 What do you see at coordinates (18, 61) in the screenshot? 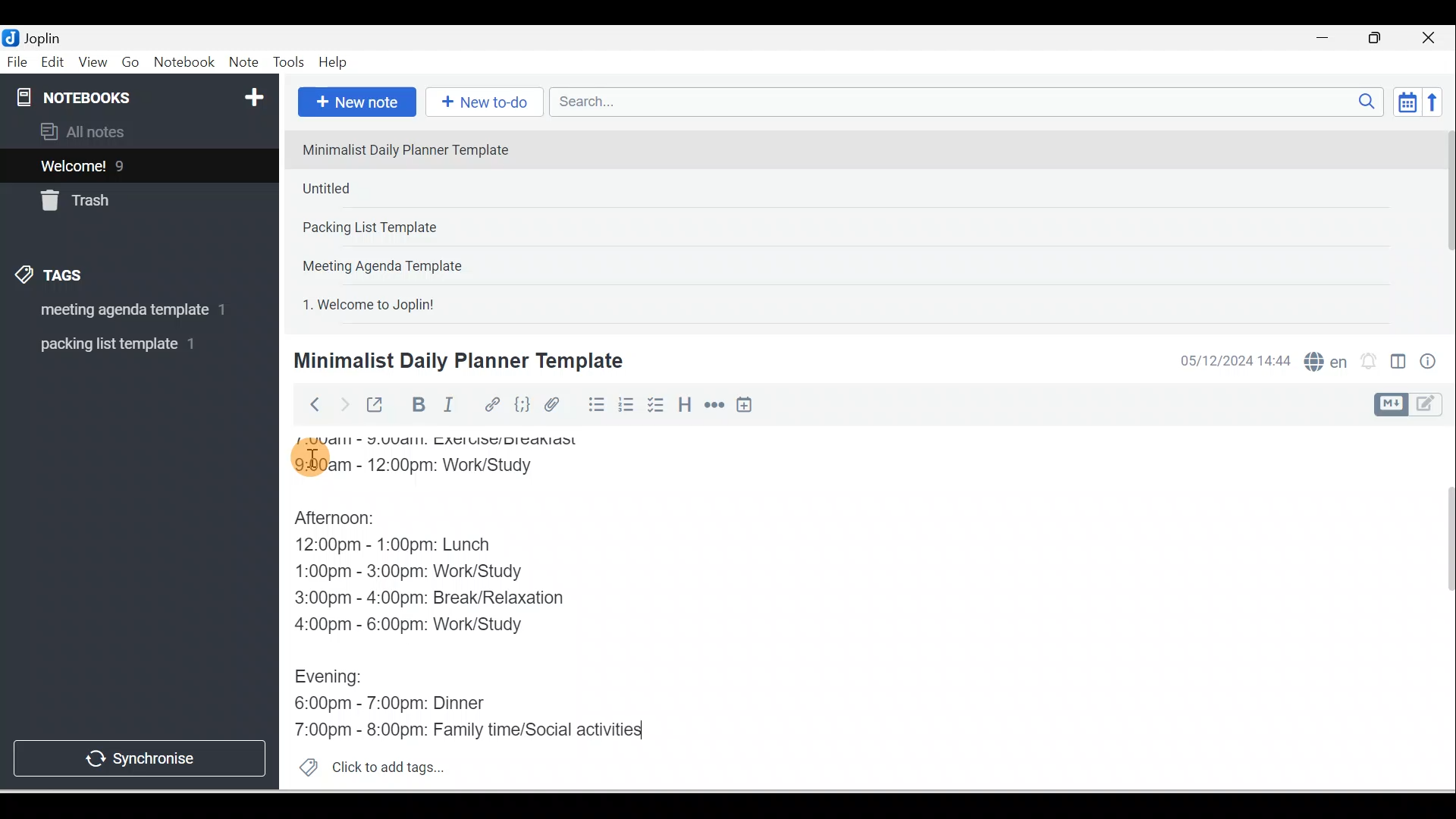
I see `File` at bounding box center [18, 61].